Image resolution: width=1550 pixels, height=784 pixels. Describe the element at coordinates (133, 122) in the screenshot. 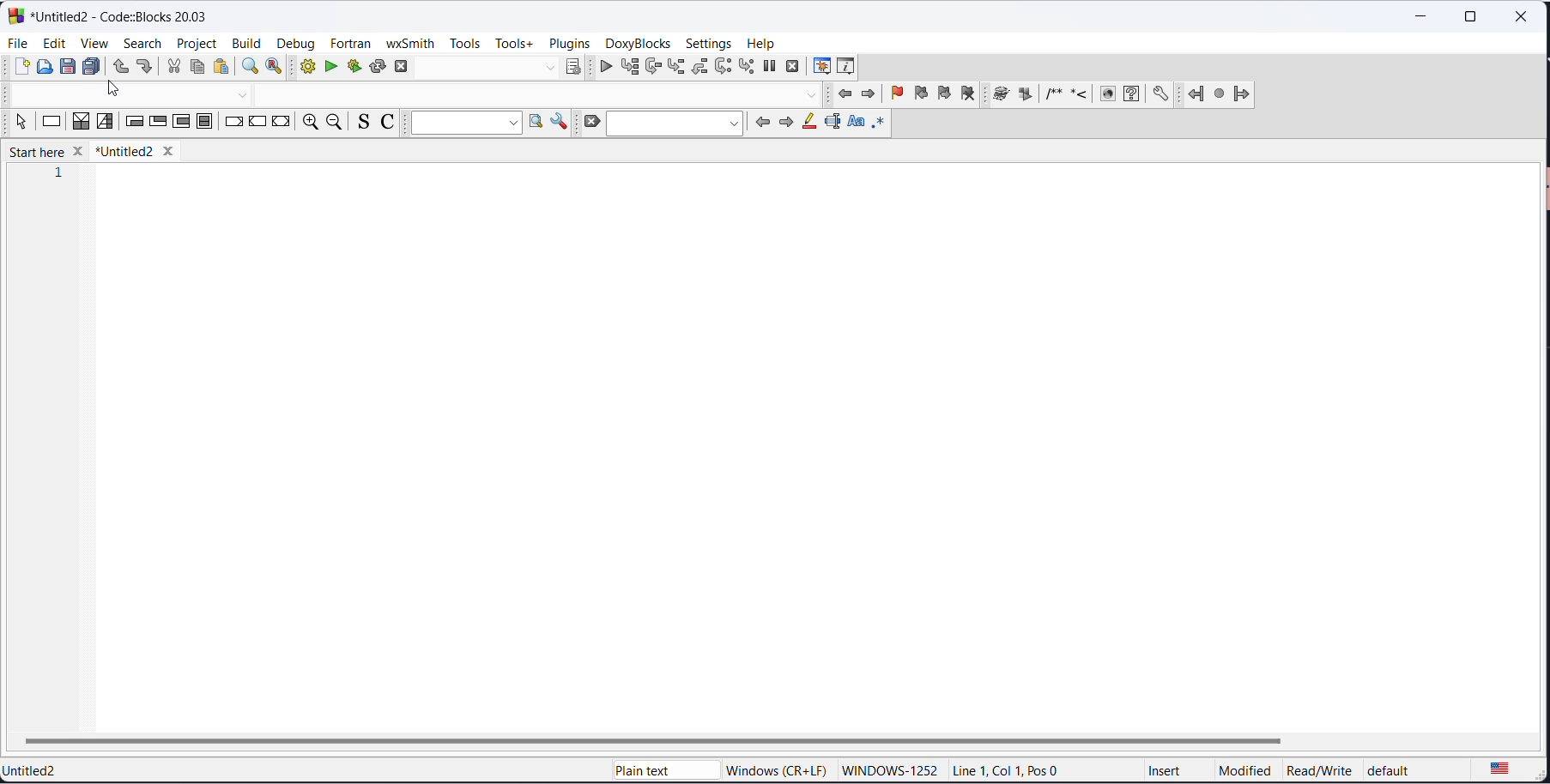

I see `entry condition loop` at that location.